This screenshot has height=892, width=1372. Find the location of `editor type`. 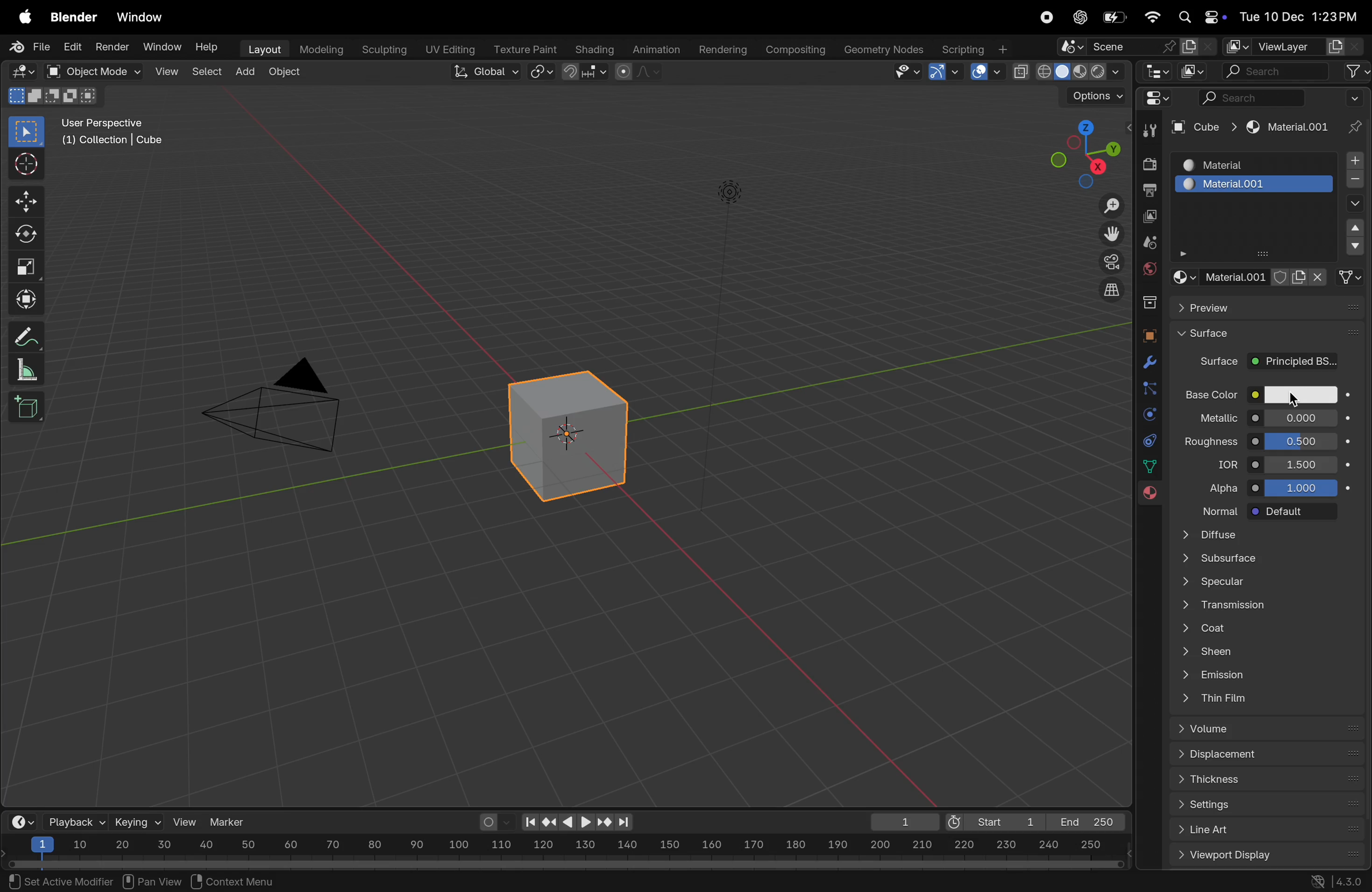

editor type is located at coordinates (1159, 73).